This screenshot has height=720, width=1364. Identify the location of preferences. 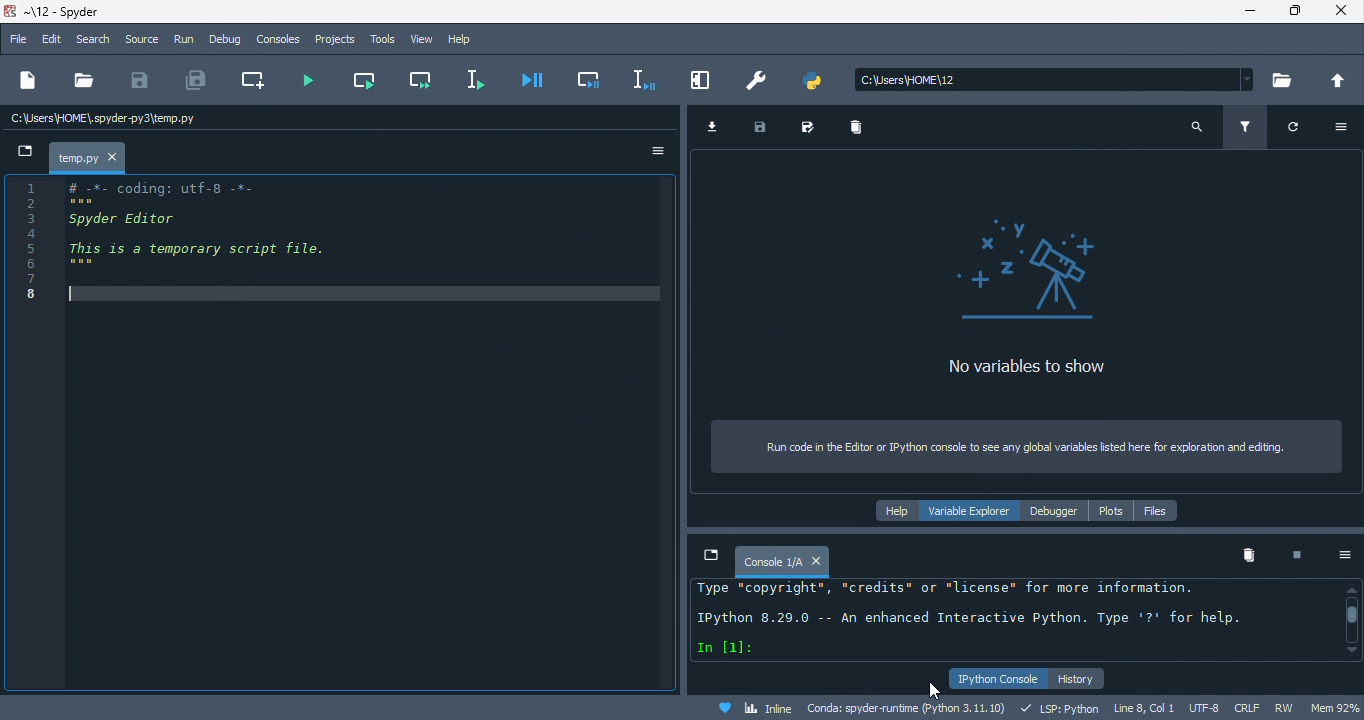
(760, 77).